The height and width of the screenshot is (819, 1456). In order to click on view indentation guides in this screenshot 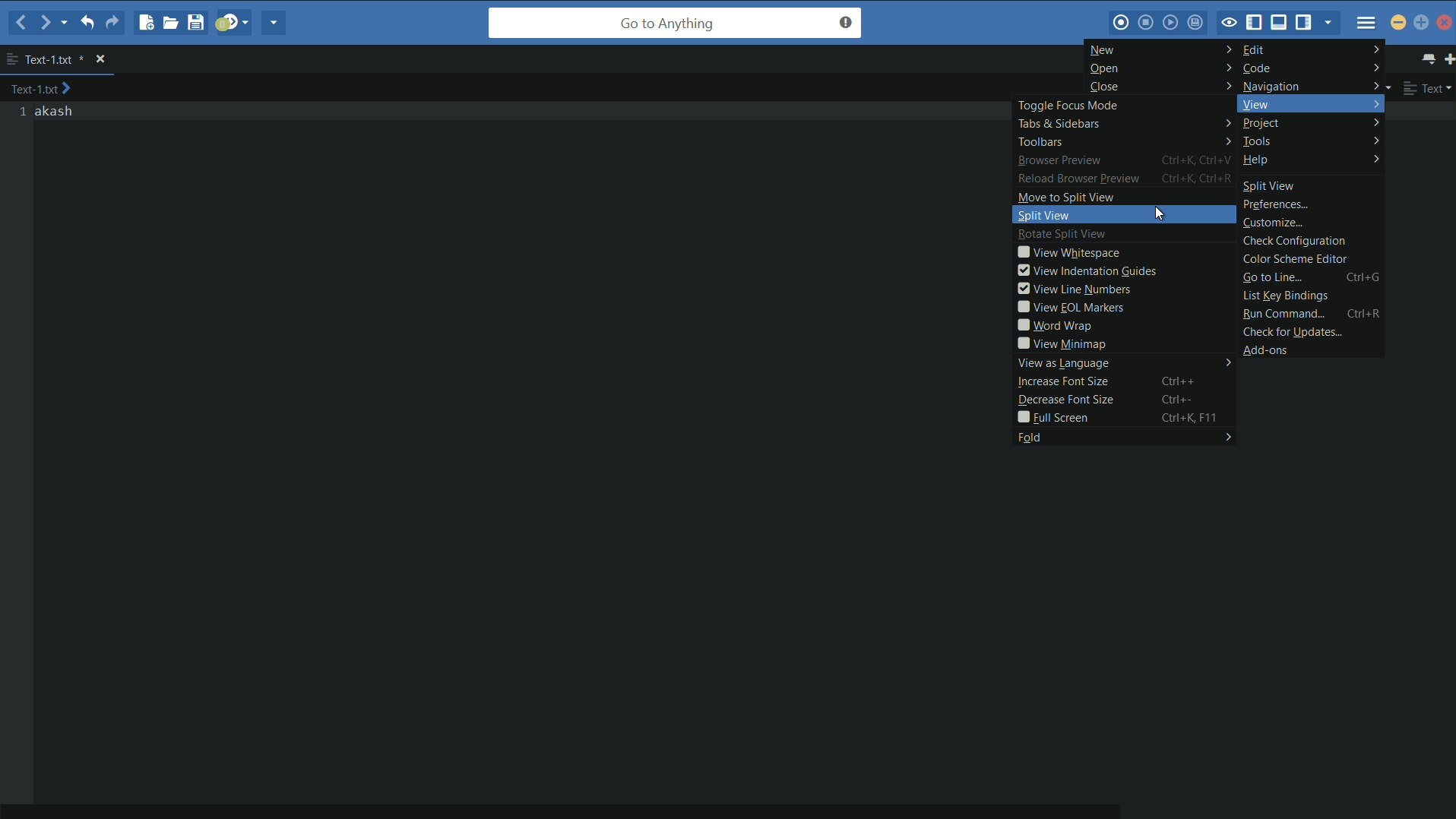, I will do `click(1125, 270)`.